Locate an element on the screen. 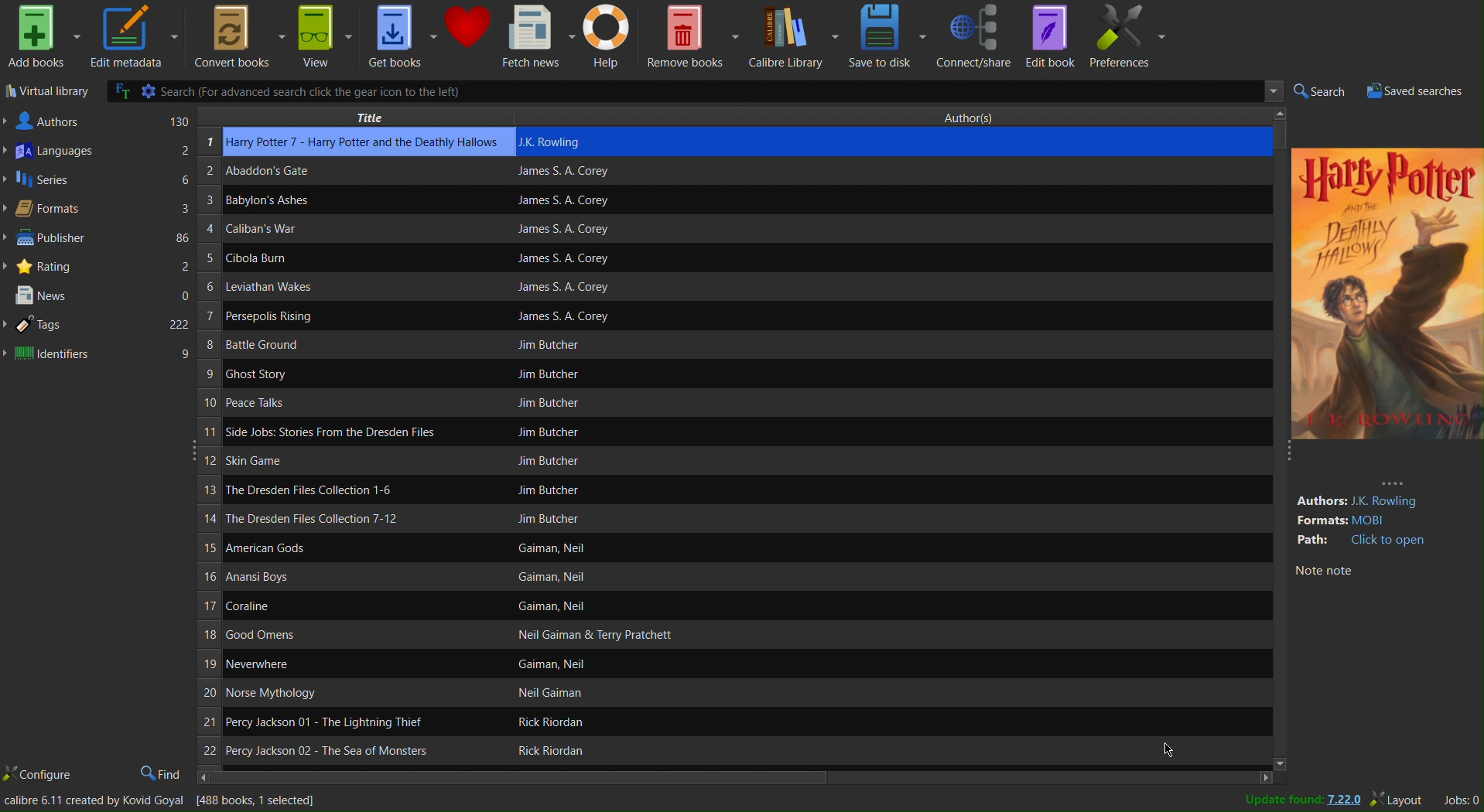 The image size is (1484, 812). Title is located at coordinates (358, 117).